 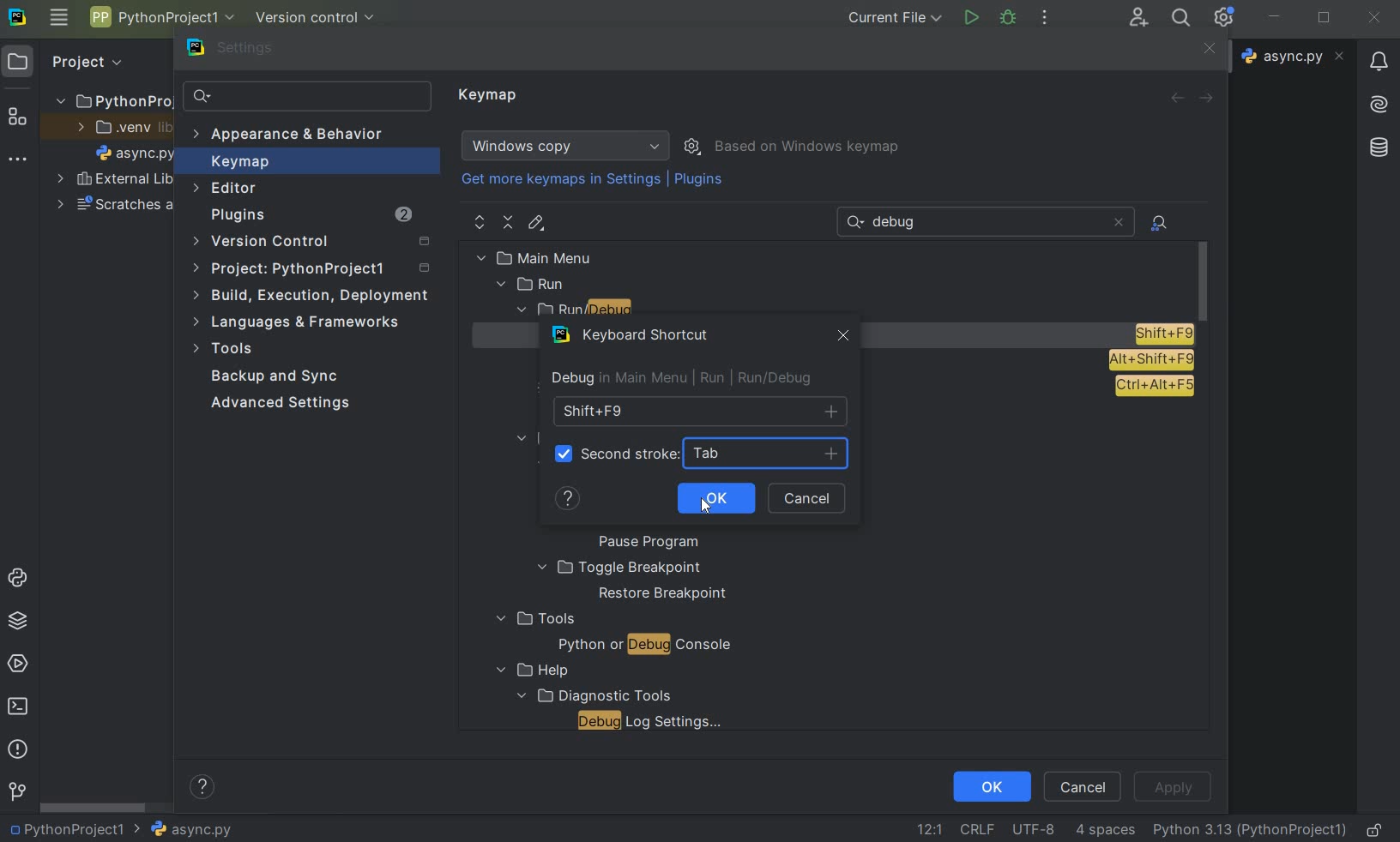 I want to click on diagnostic tools, so click(x=592, y=695).